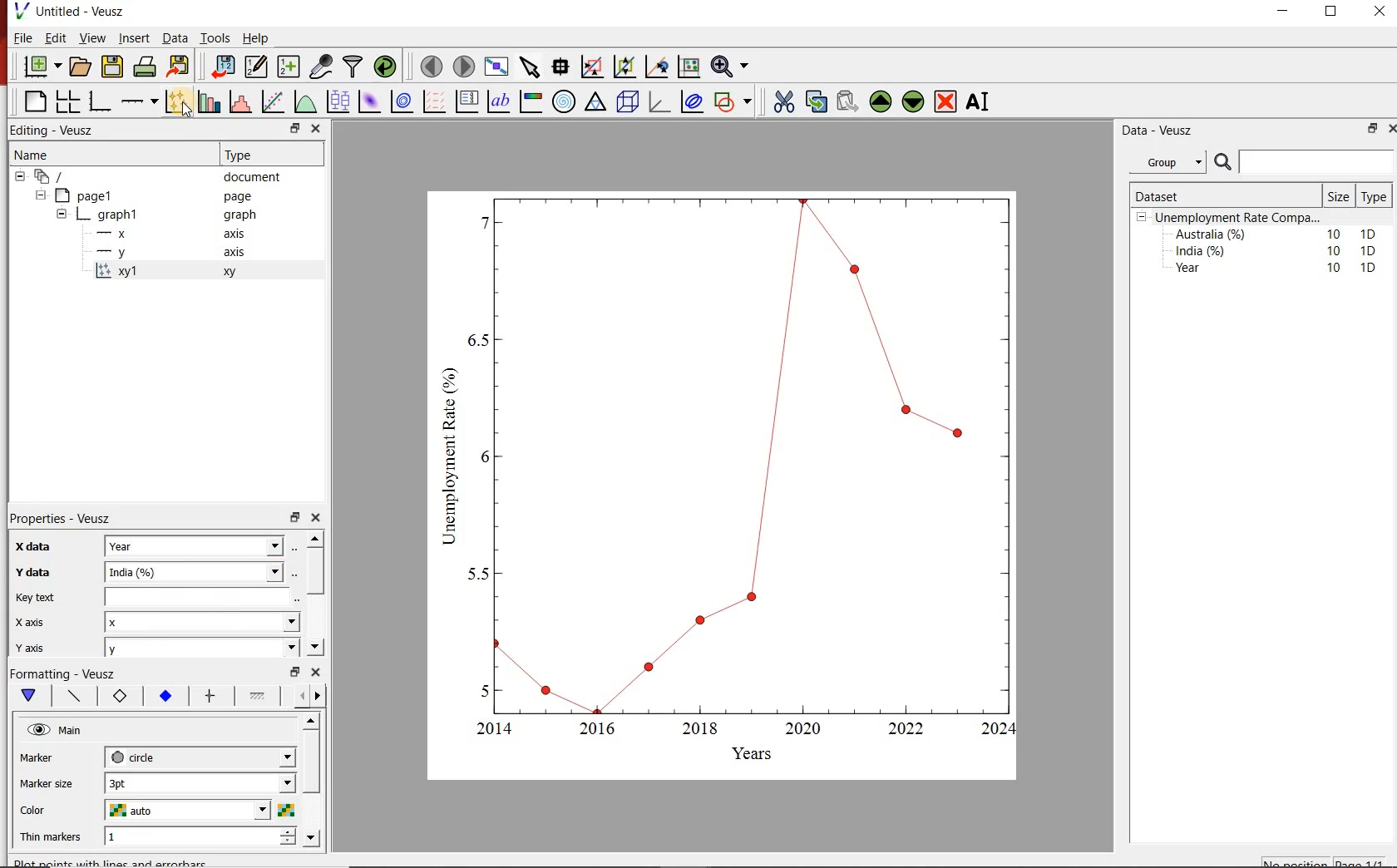 The image size is (1397, 868). I want to click on x data, so click(29, 547).